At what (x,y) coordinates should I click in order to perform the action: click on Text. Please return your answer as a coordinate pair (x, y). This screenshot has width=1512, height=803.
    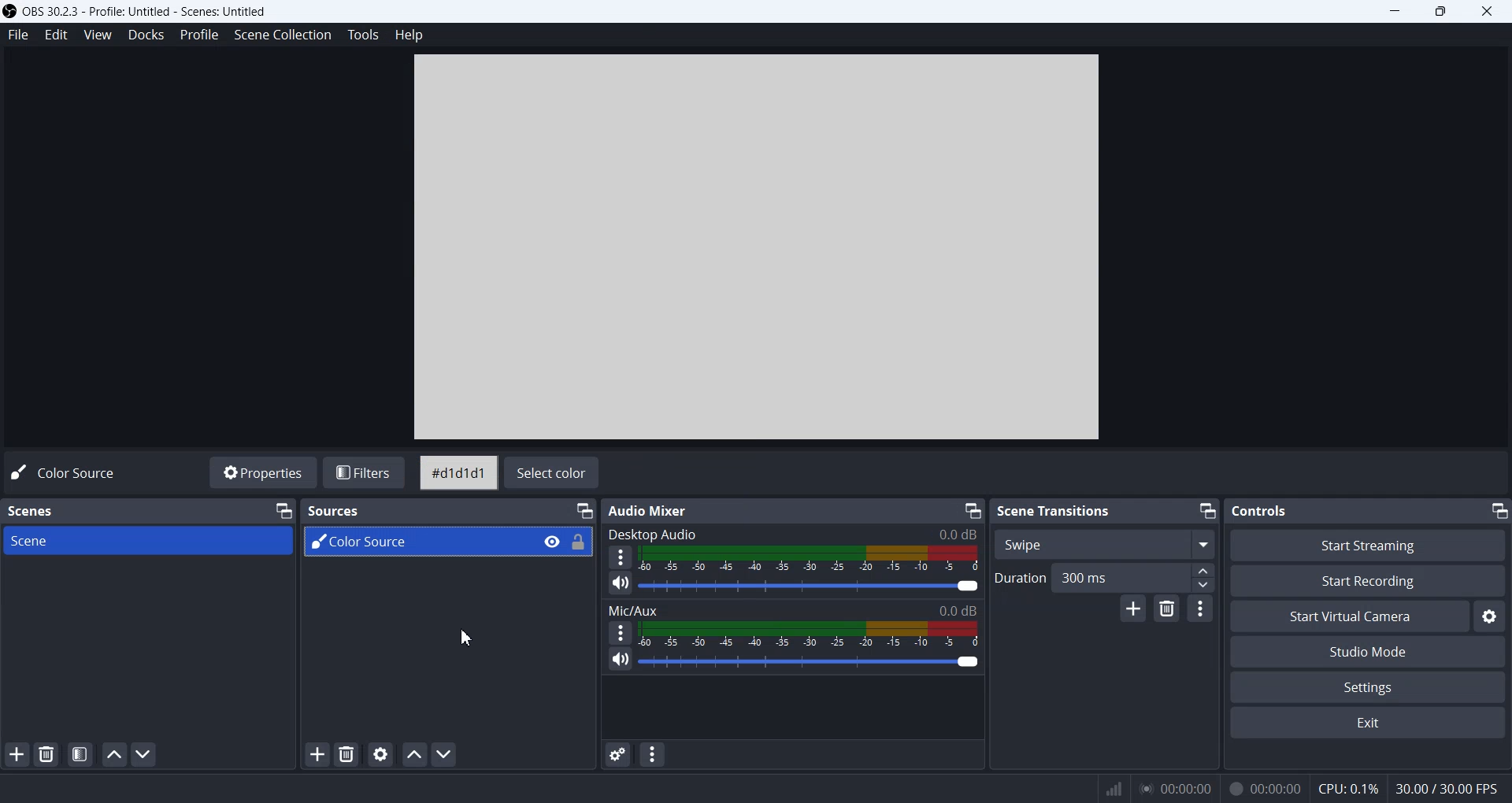
    Looking at the image, I should click on (1262, 510).